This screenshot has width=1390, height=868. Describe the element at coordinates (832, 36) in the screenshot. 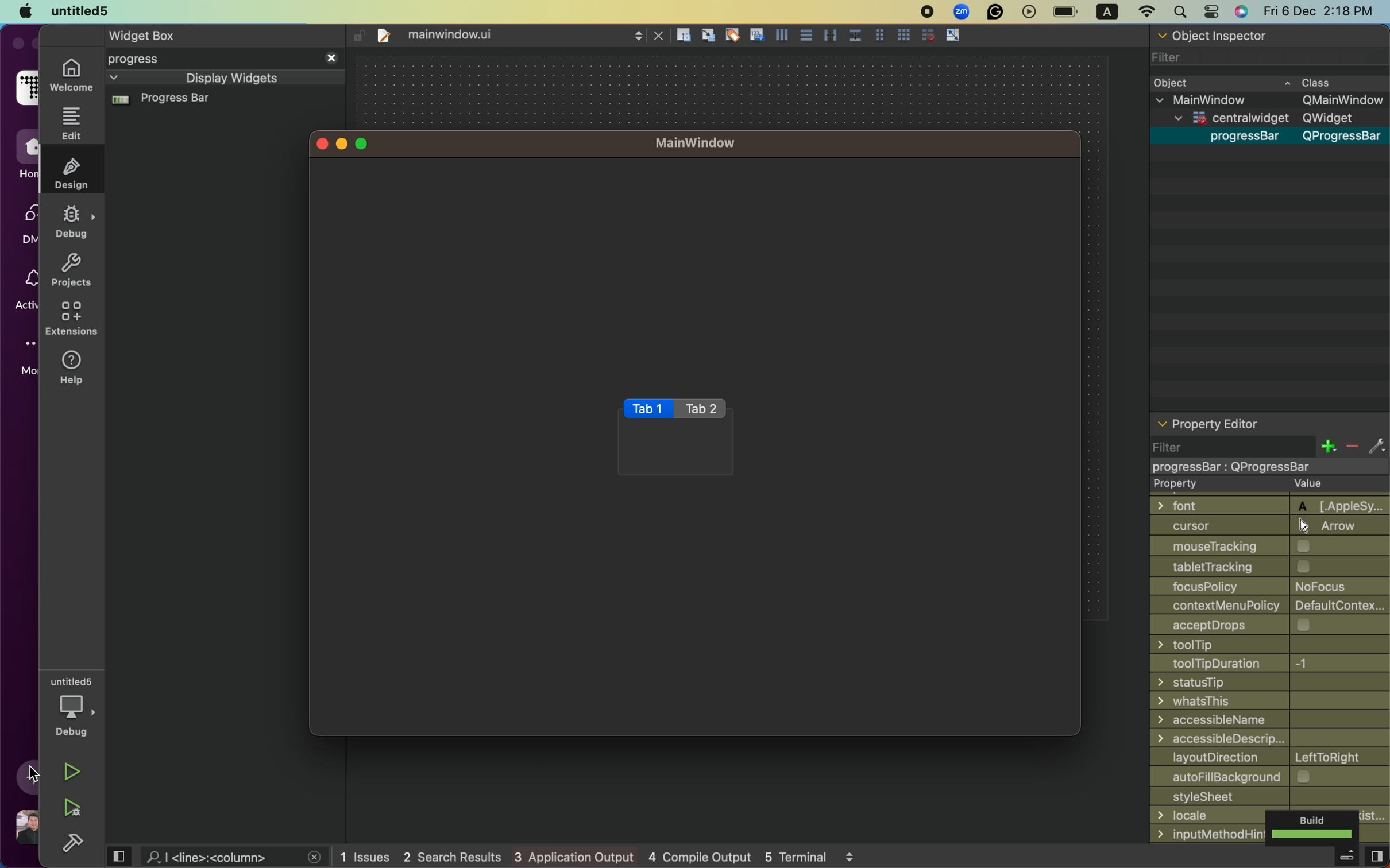

I see `distribute horizontally` at that location.